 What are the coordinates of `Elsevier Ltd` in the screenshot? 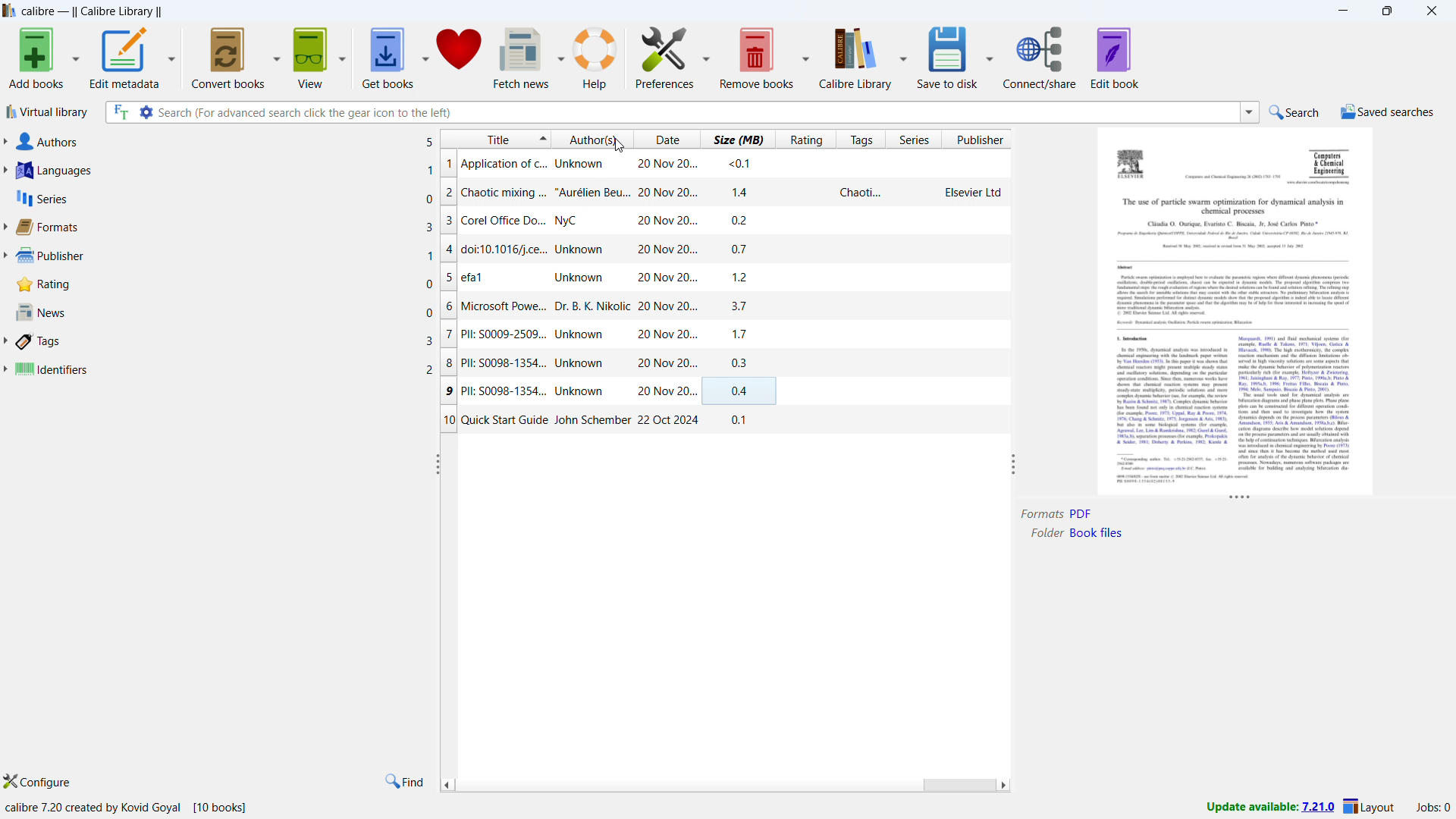 It's located at (974, 192).